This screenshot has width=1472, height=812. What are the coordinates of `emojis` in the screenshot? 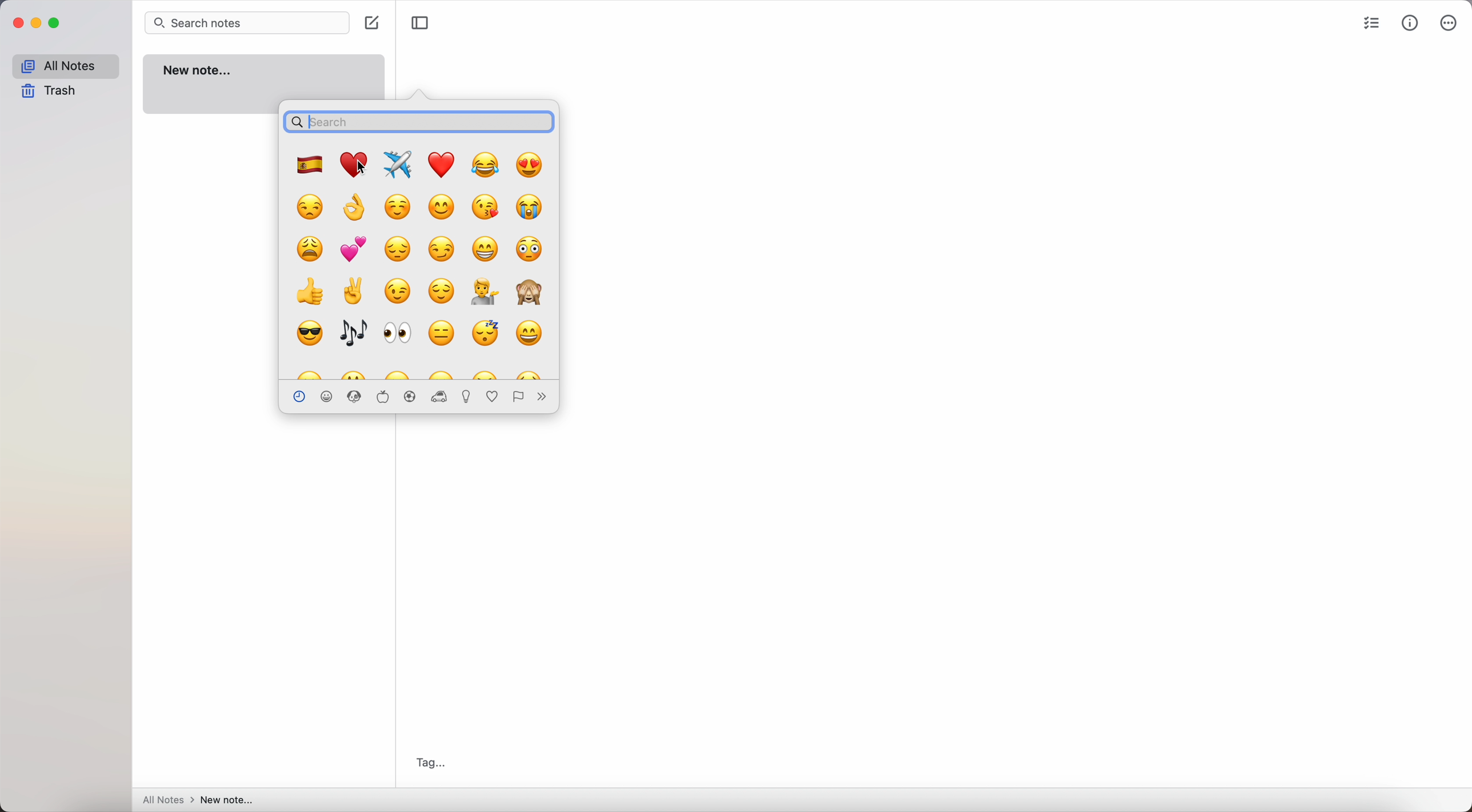 It's located at (466, 396).